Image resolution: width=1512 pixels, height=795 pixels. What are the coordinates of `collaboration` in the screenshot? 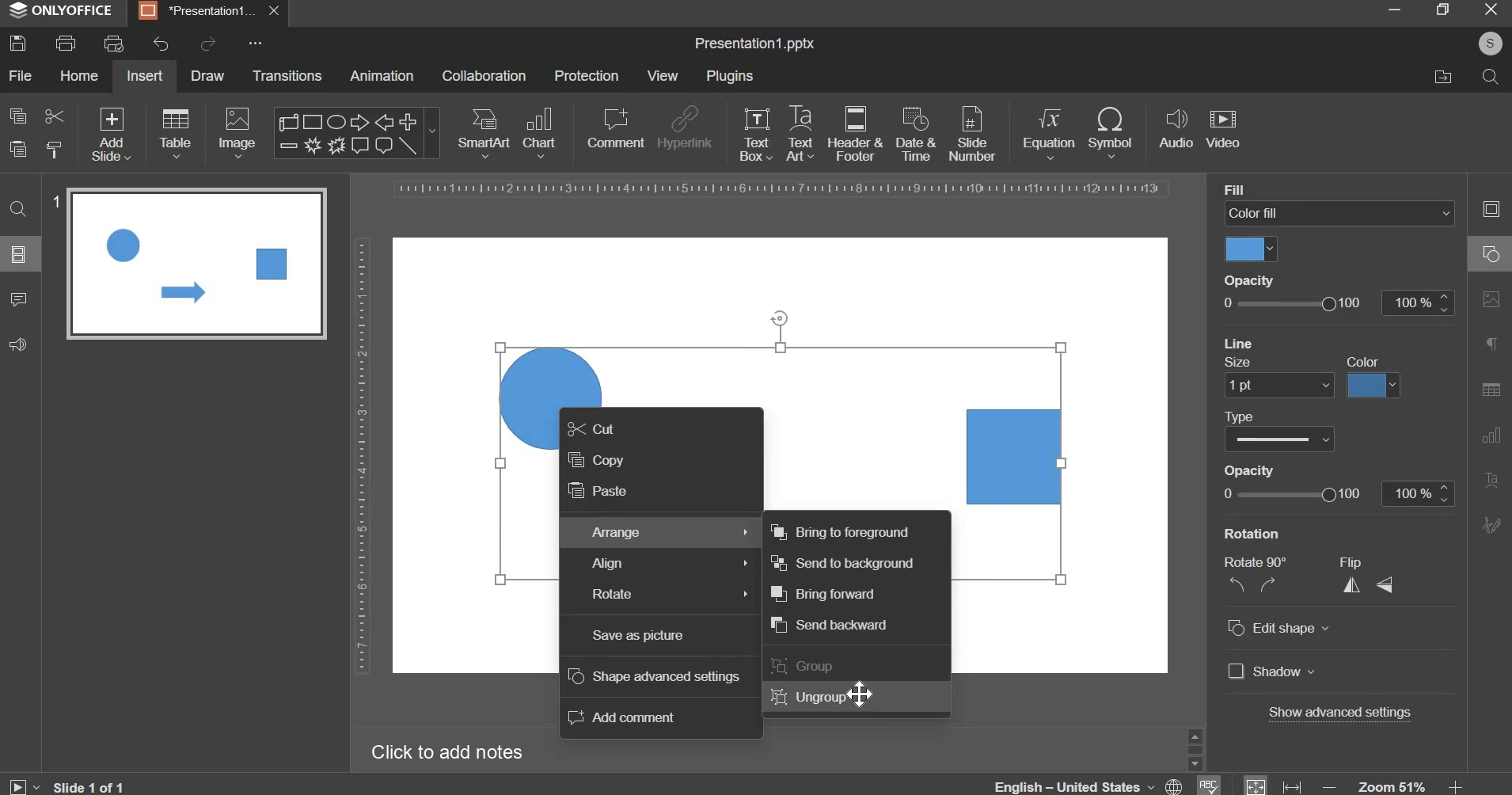 It's located at (484, 76).